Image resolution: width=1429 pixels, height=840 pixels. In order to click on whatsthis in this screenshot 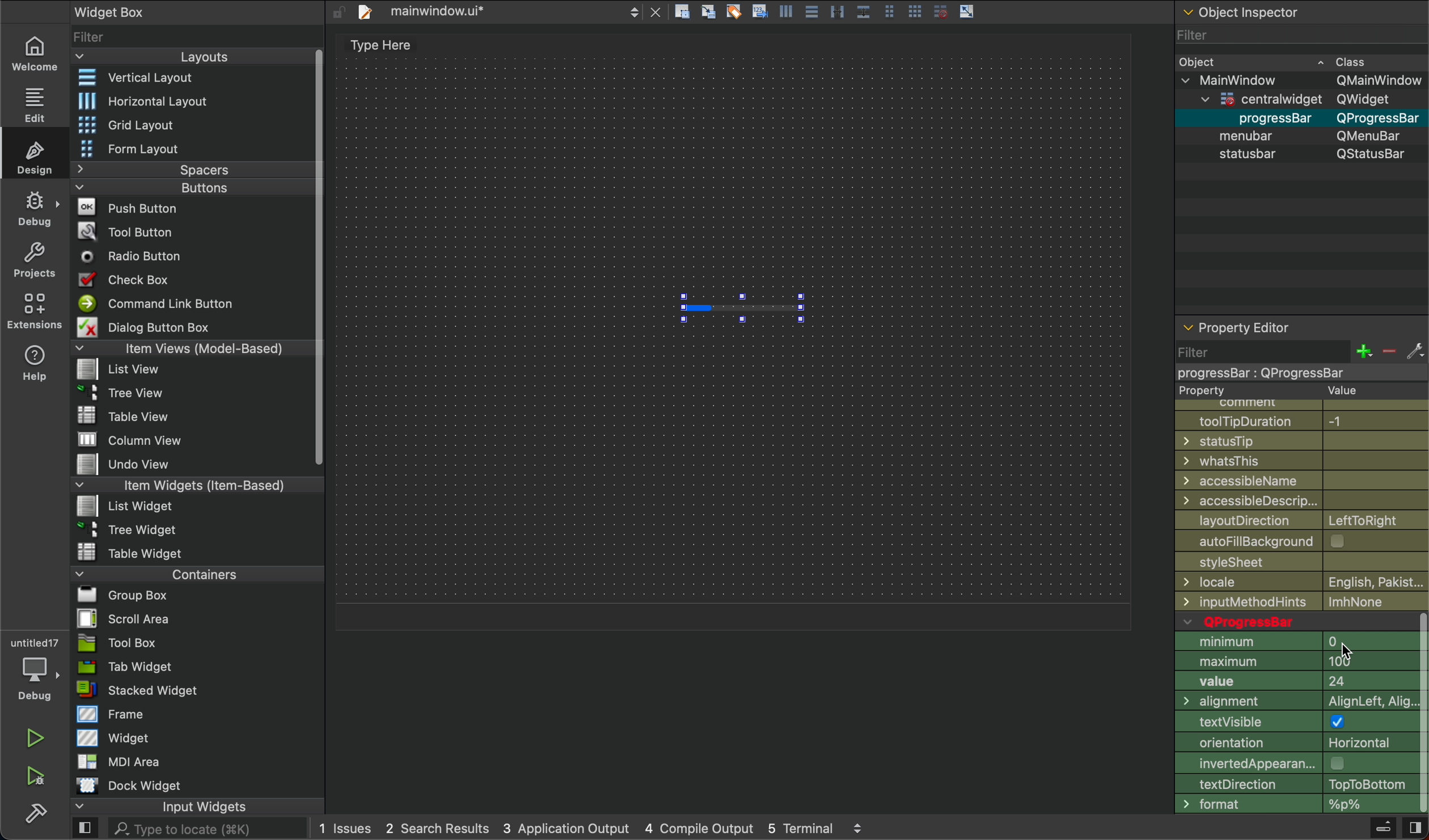, I will do `click(1303, 461)`.